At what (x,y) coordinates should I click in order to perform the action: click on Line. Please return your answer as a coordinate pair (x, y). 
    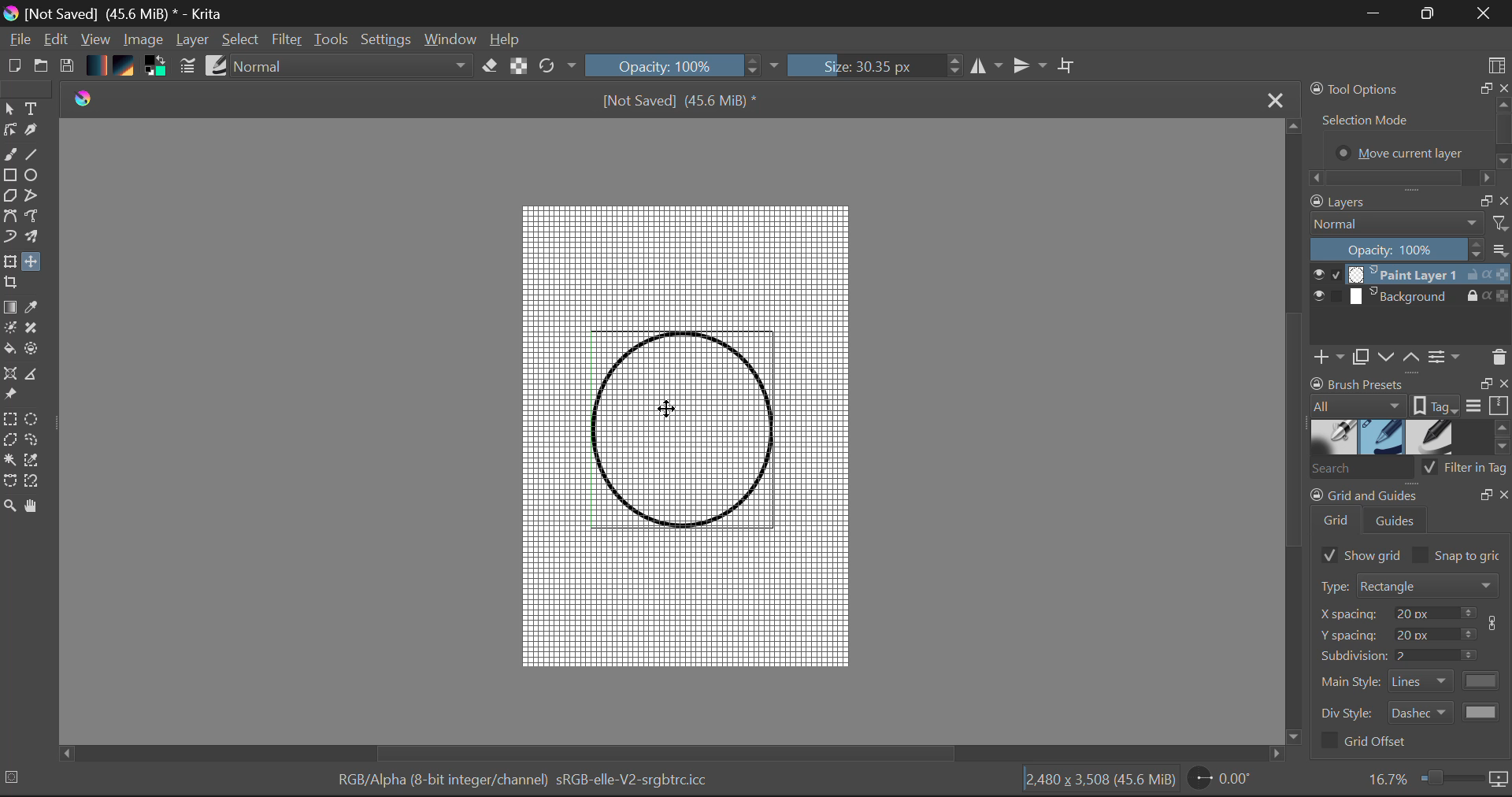
    Looking at the image, I should click on (34, 154).